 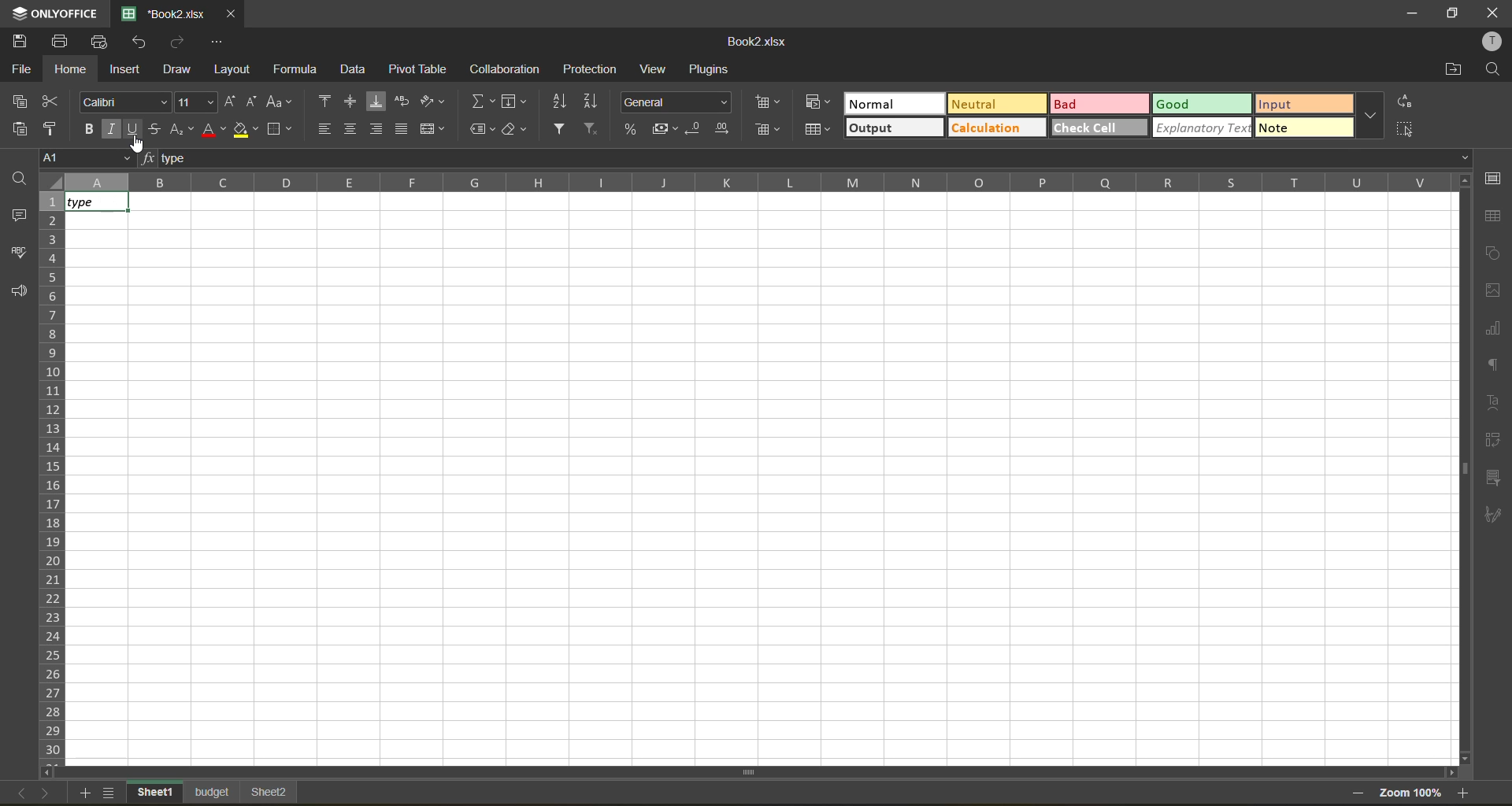 I want to click on file, so click(x=24, y=67).